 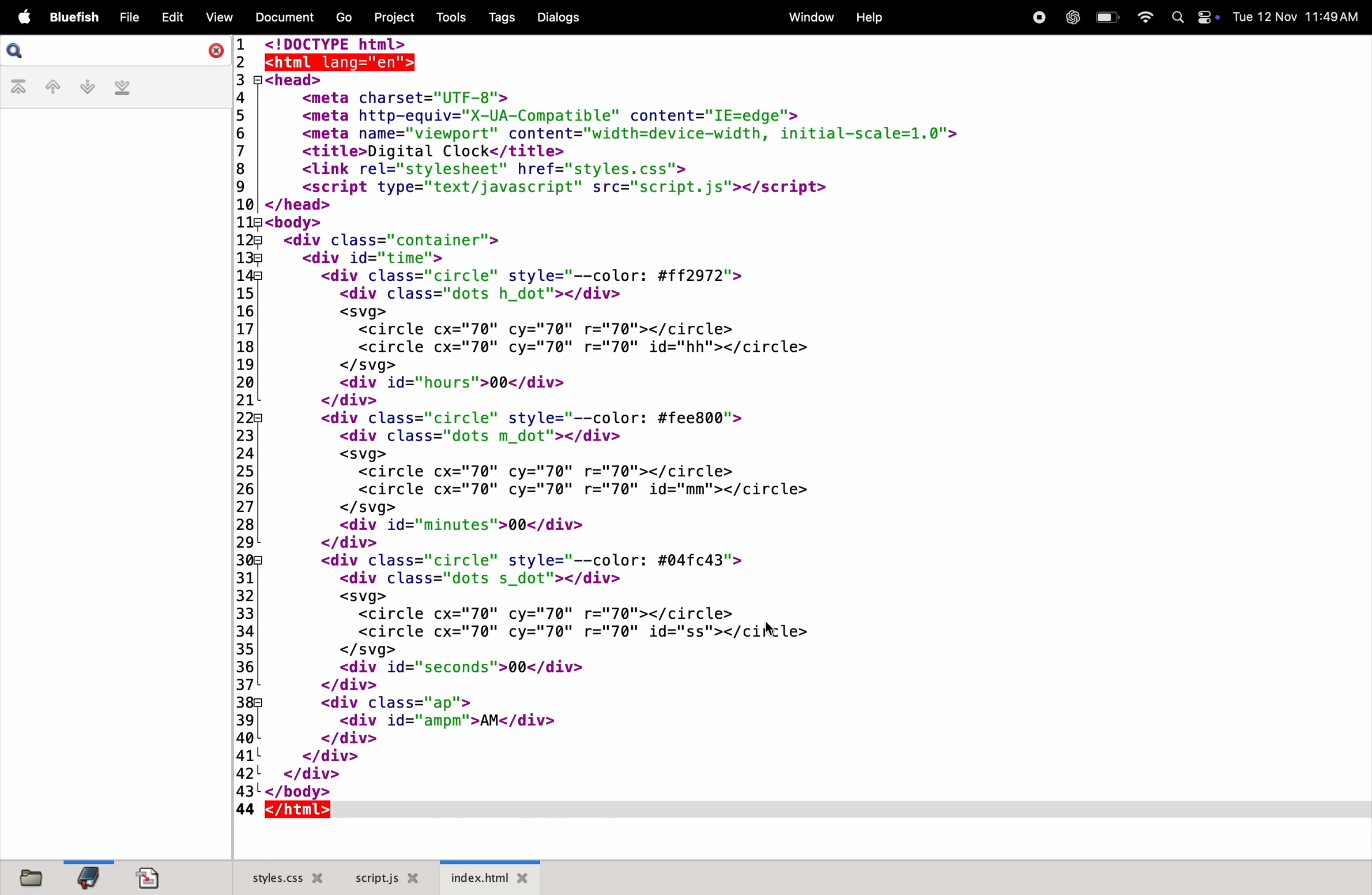 I want to click on script.js, so click(x=387, y=878).